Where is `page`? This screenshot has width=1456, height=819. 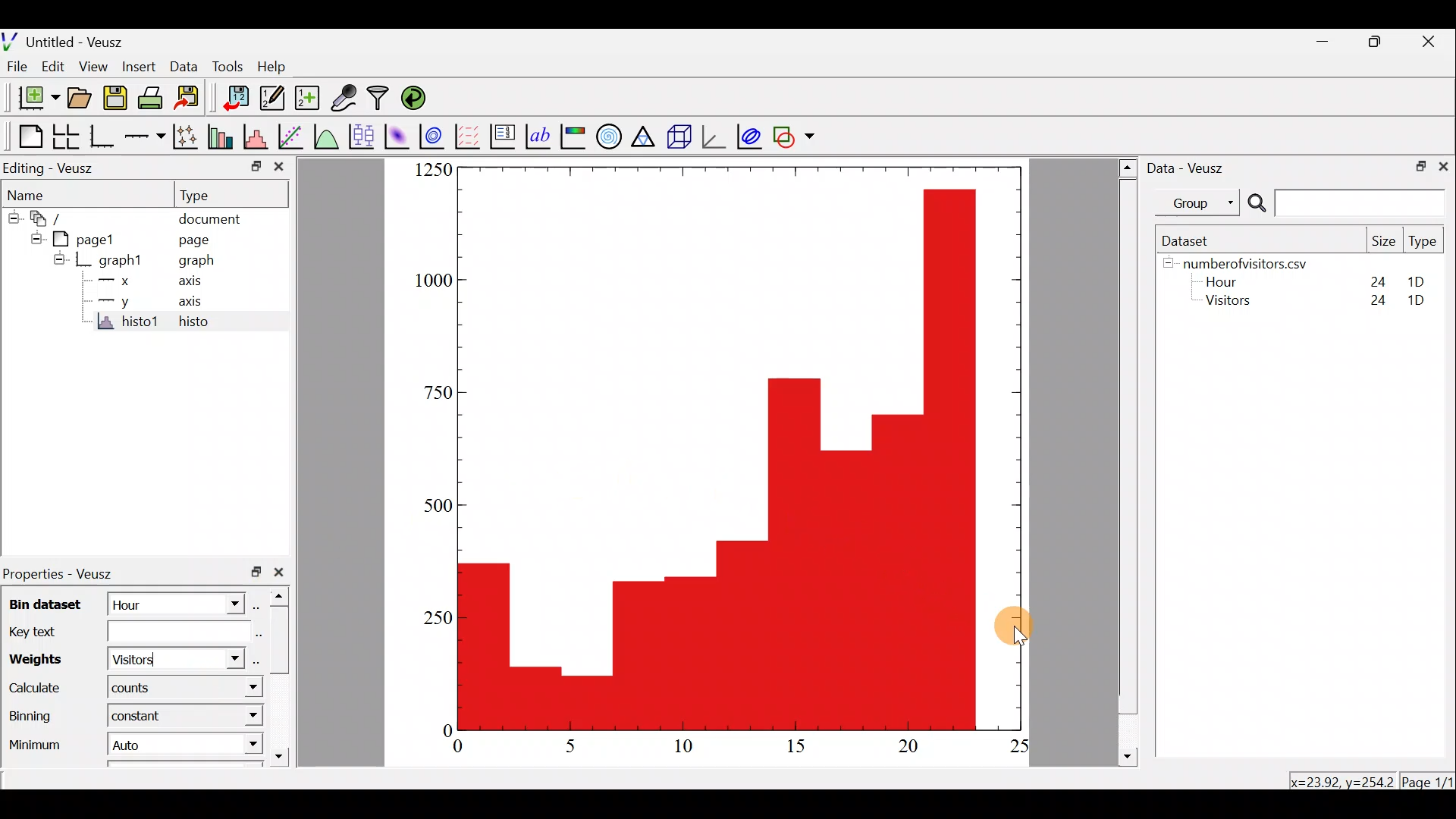
page is located at coordinates (196, 240).